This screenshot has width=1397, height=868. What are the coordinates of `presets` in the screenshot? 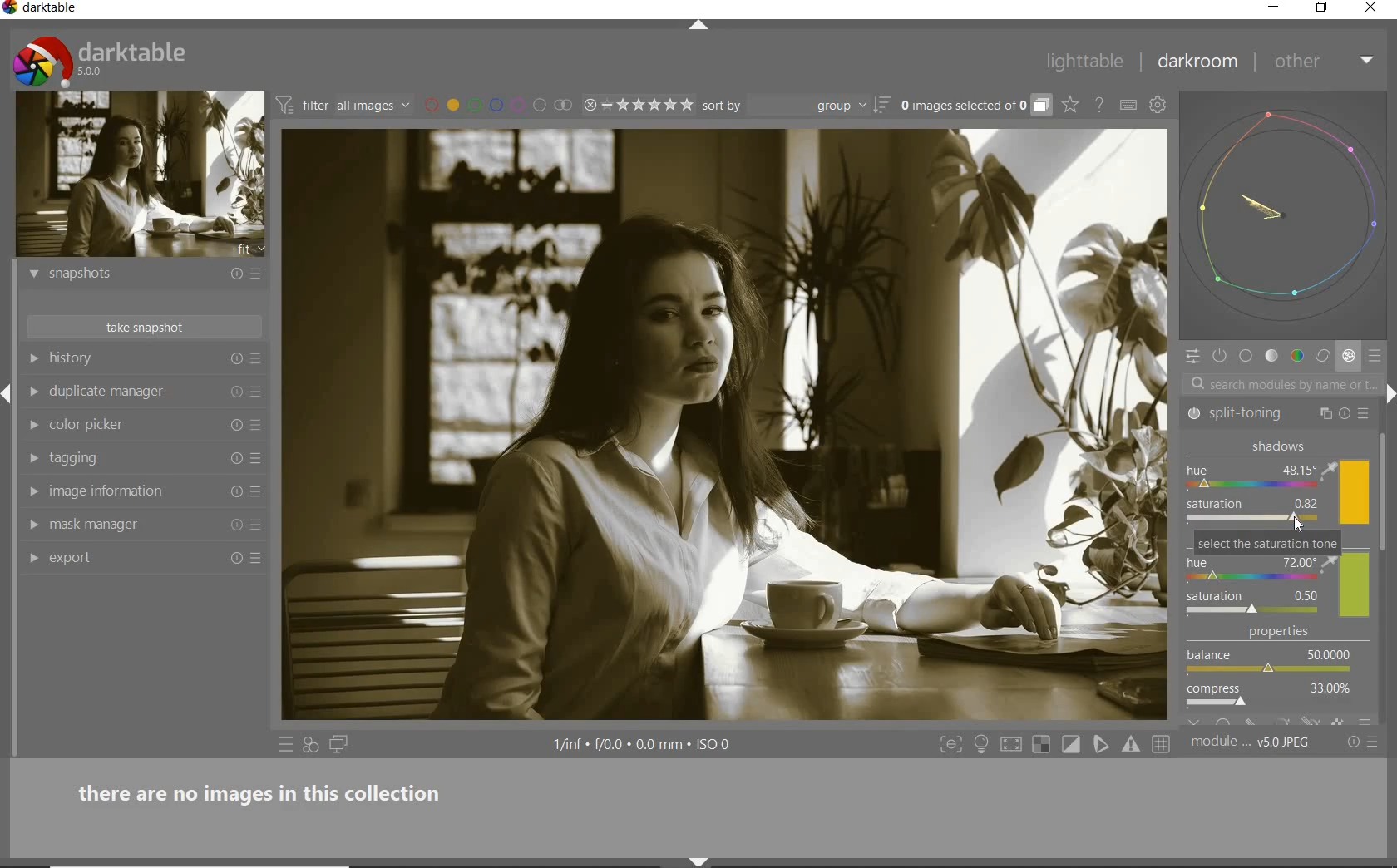 It's located at (1377, 357).